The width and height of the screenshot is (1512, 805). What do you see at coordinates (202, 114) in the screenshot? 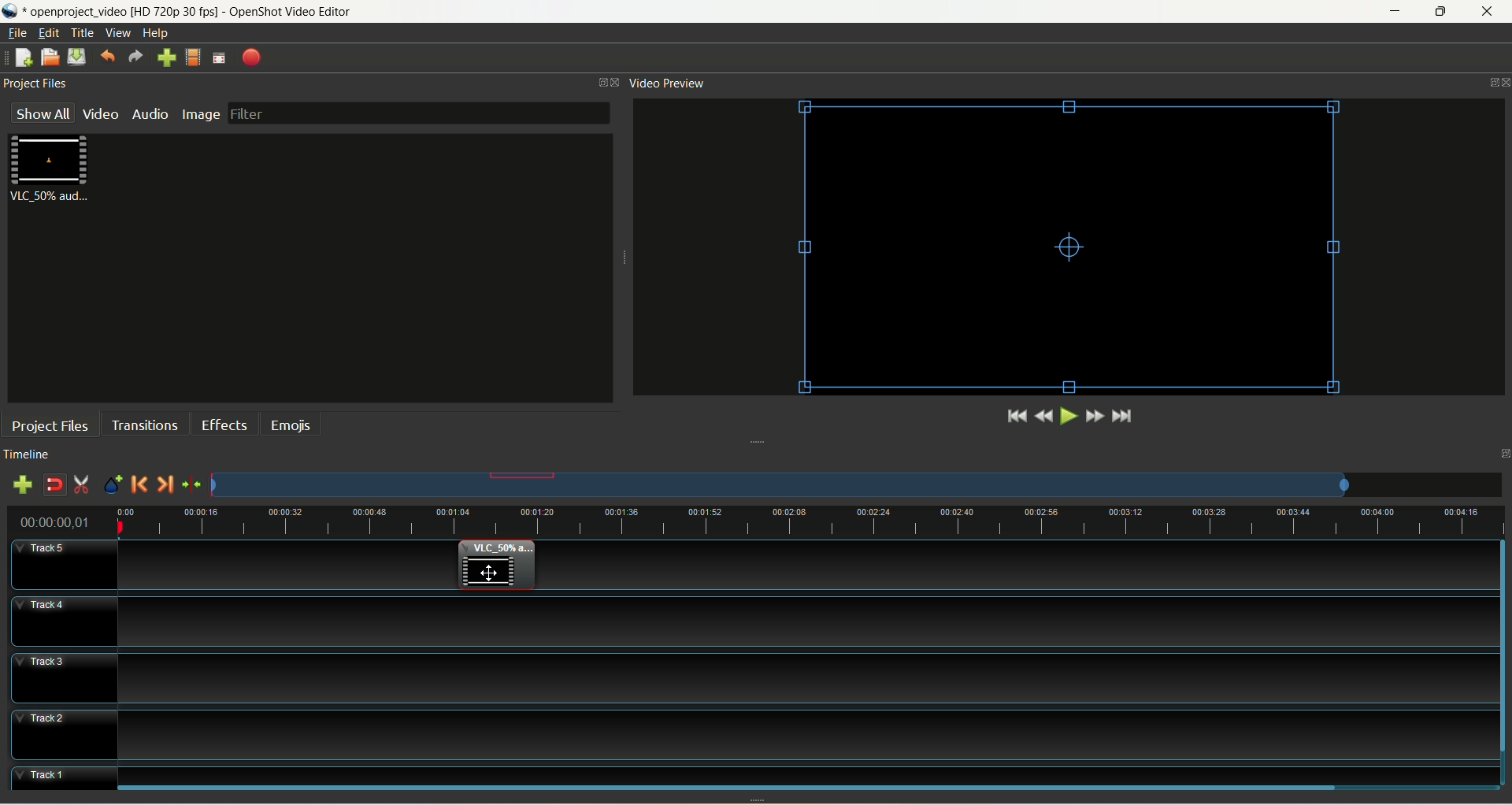
I see `image` at bounding box center [202, 114].